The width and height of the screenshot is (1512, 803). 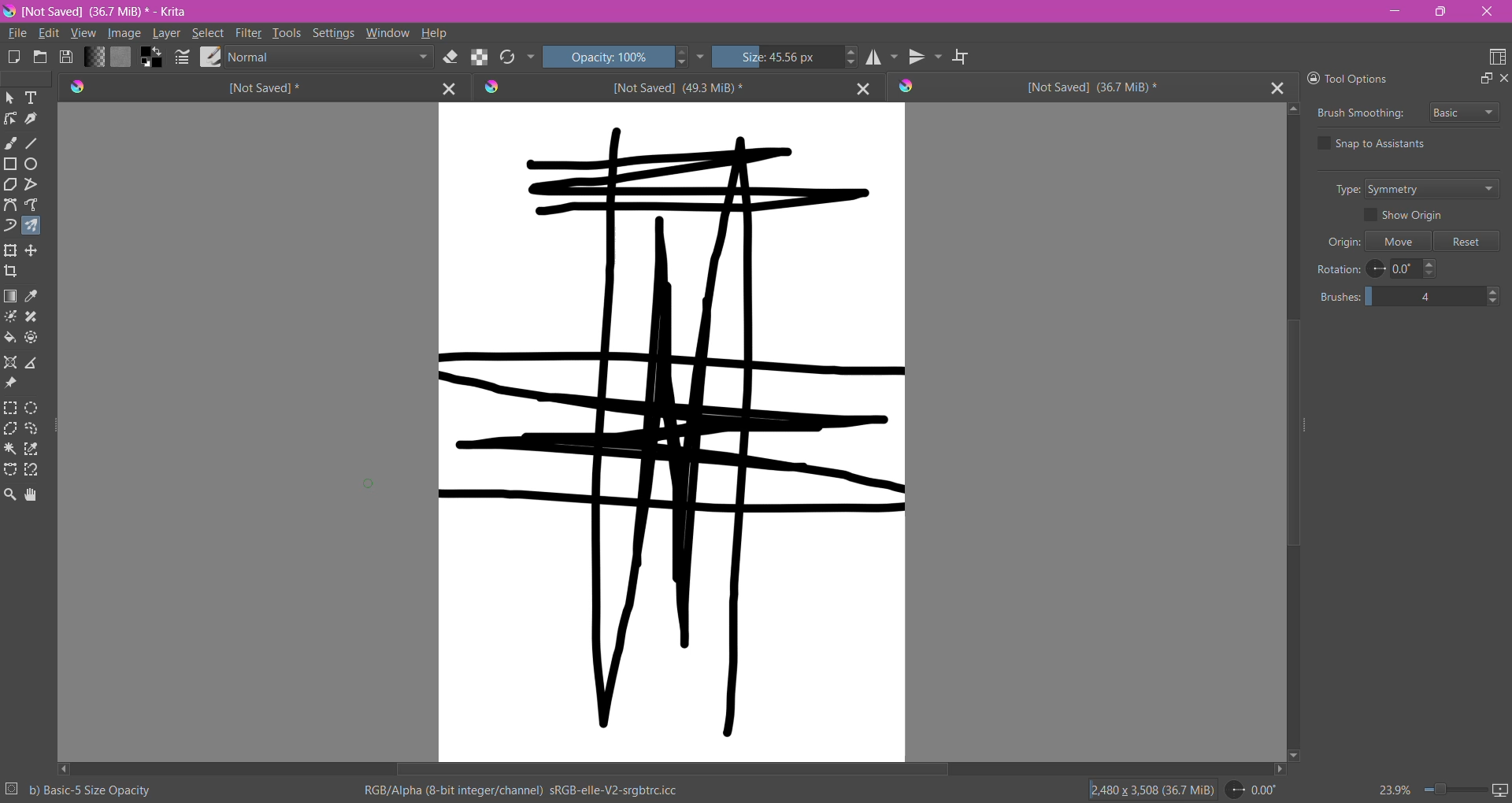 I want to click on File, so click(x=16, y=34).